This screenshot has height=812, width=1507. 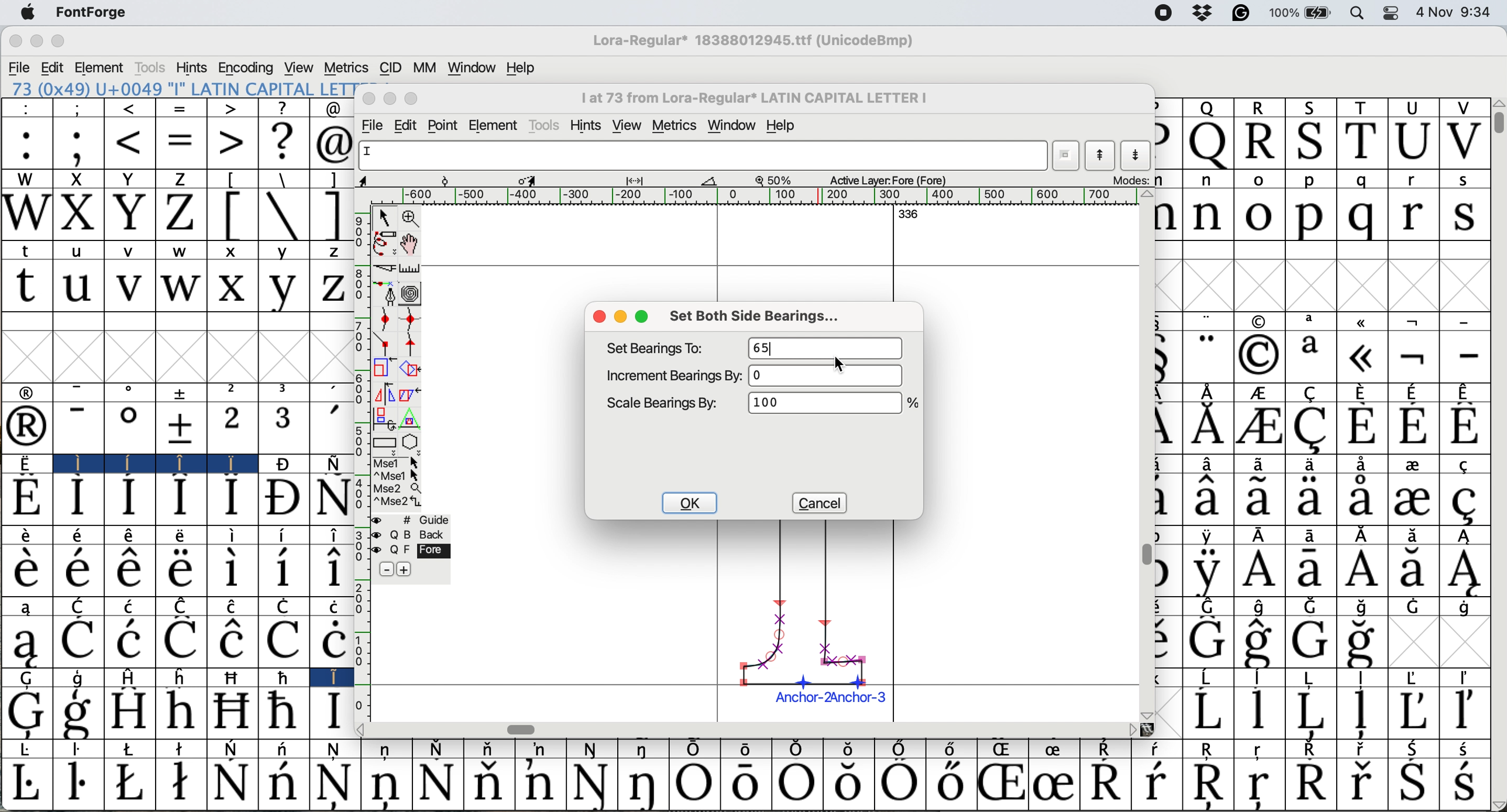 I want to click on vertical scroll bar, so click(x=1498, y=126).